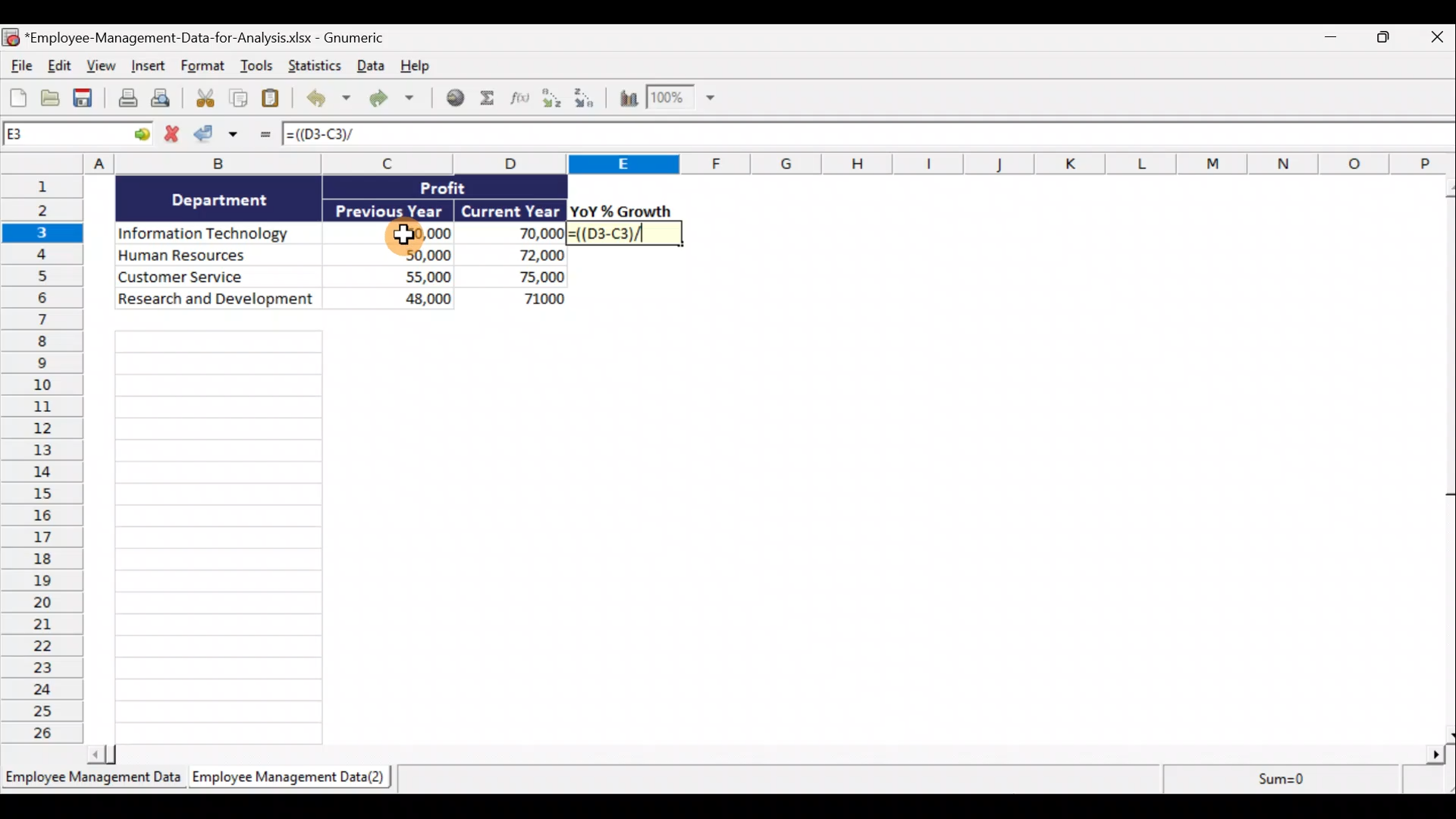  I want to click on Scroll bar, so click(766, 757).